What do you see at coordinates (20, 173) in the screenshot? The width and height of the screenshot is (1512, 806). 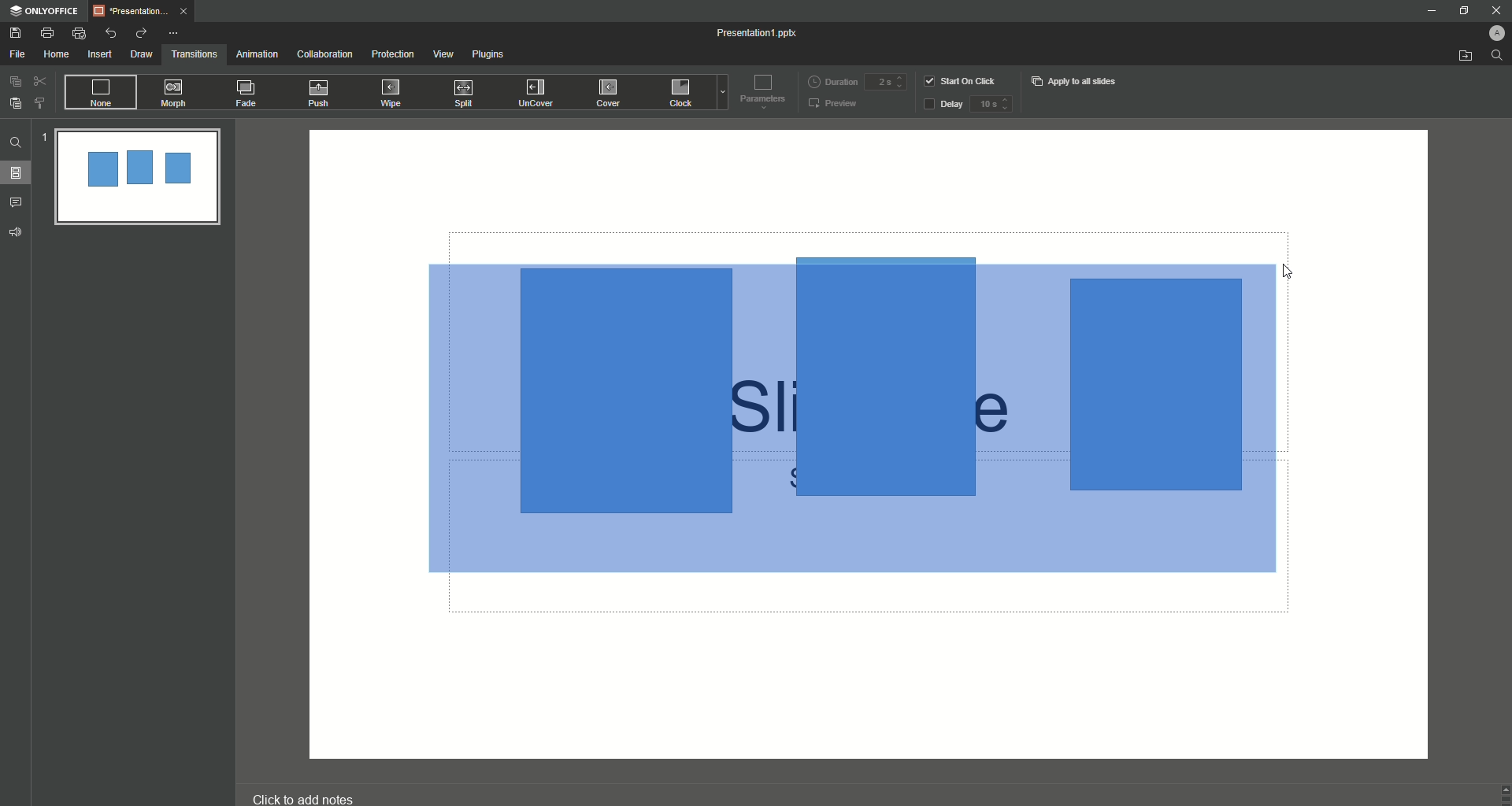 I see `Slides` at bounding box center [20, 173].